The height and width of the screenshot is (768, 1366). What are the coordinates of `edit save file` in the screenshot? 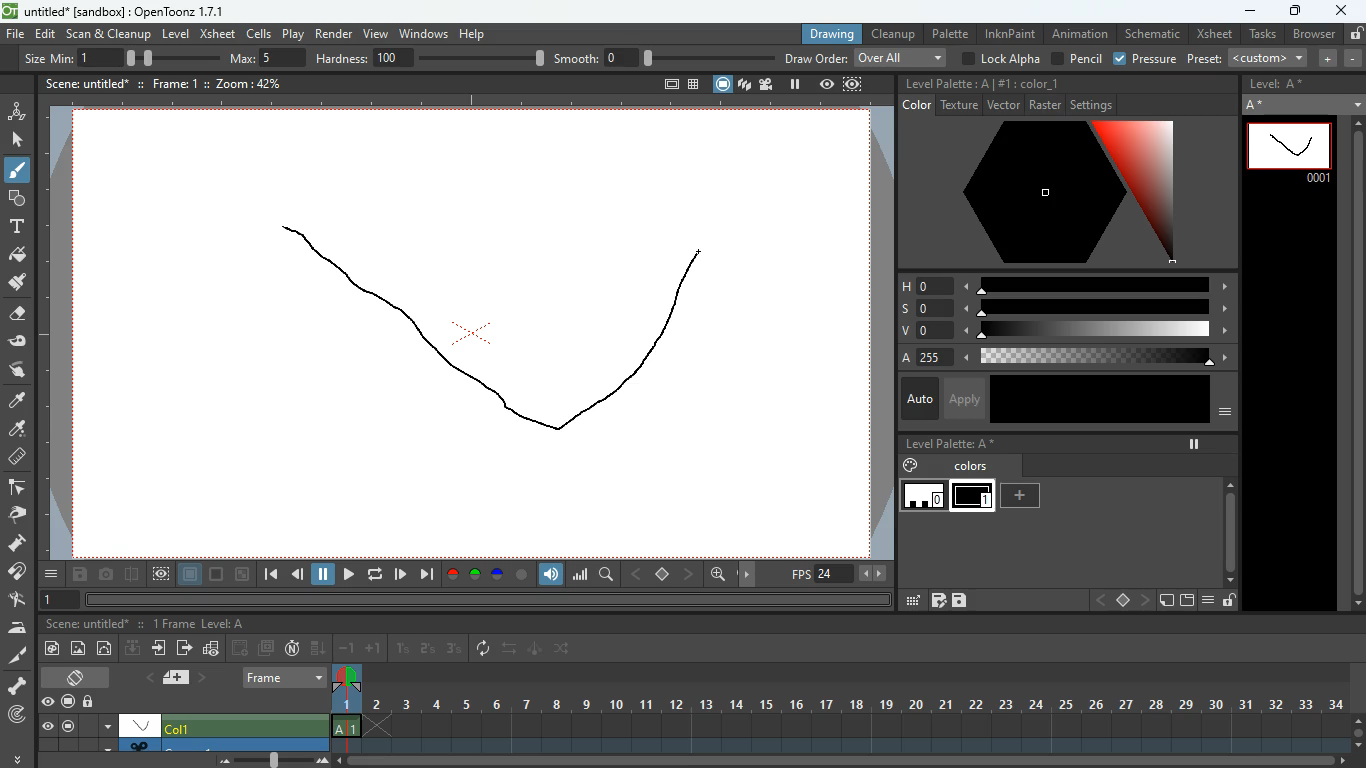 It's located at (938, 600).